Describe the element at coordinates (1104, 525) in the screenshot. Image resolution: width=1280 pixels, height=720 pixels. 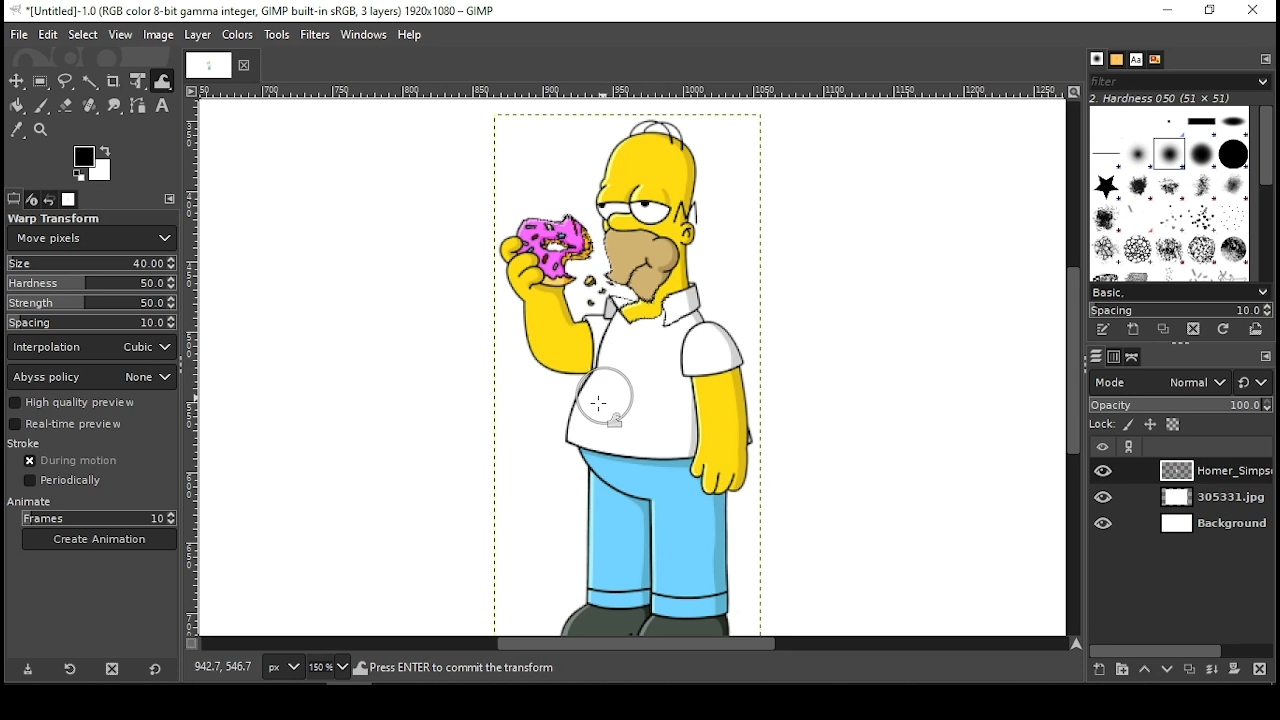
I see `layer visibility on/off` at that location.